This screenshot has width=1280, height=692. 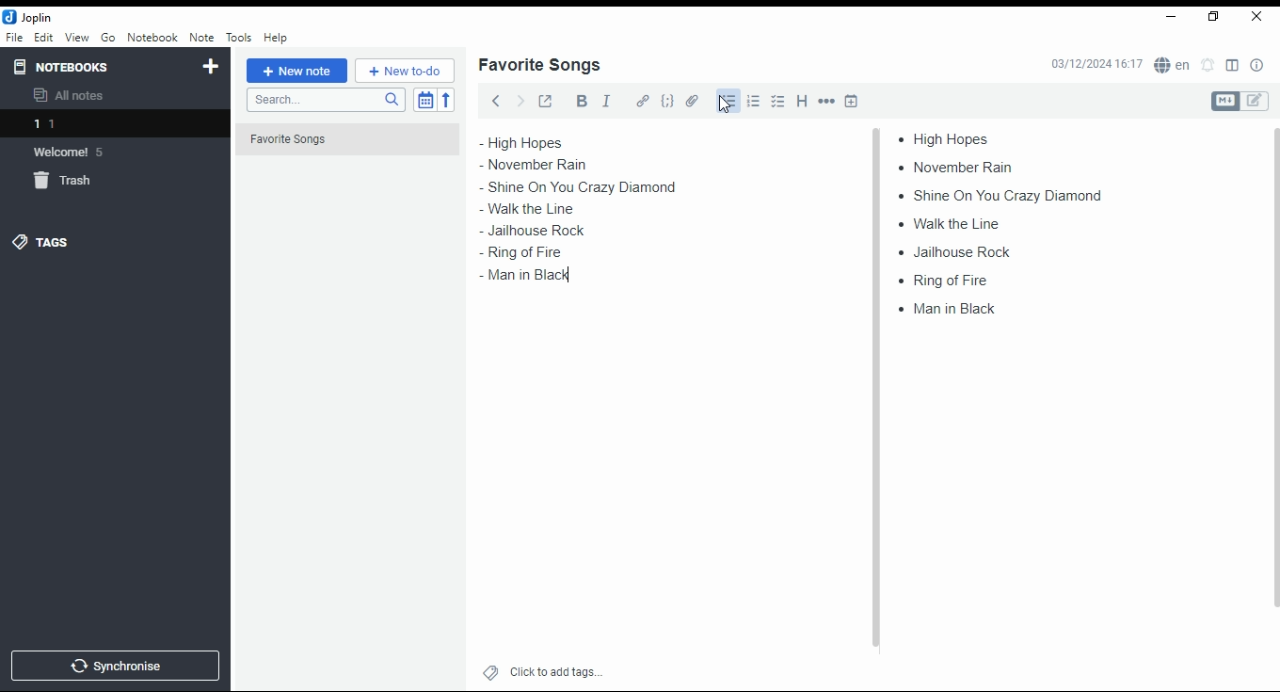 What do you see at coordinates (110, 40) in the screenshot?
I see `go` at bounding box center [110, 40].